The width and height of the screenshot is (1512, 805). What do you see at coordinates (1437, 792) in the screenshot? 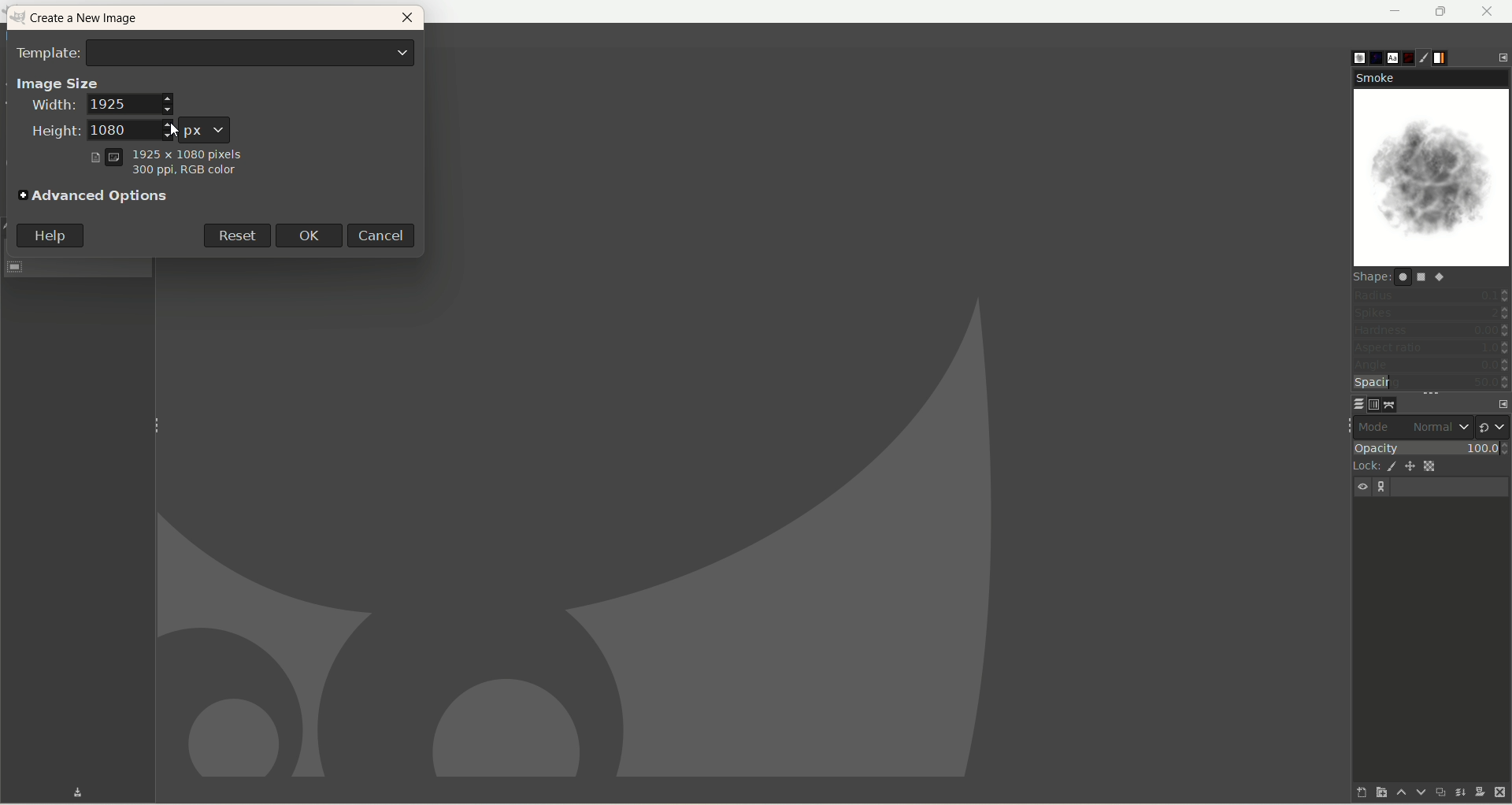
I see `duplicate layer` at bounding box center [1437, 792].